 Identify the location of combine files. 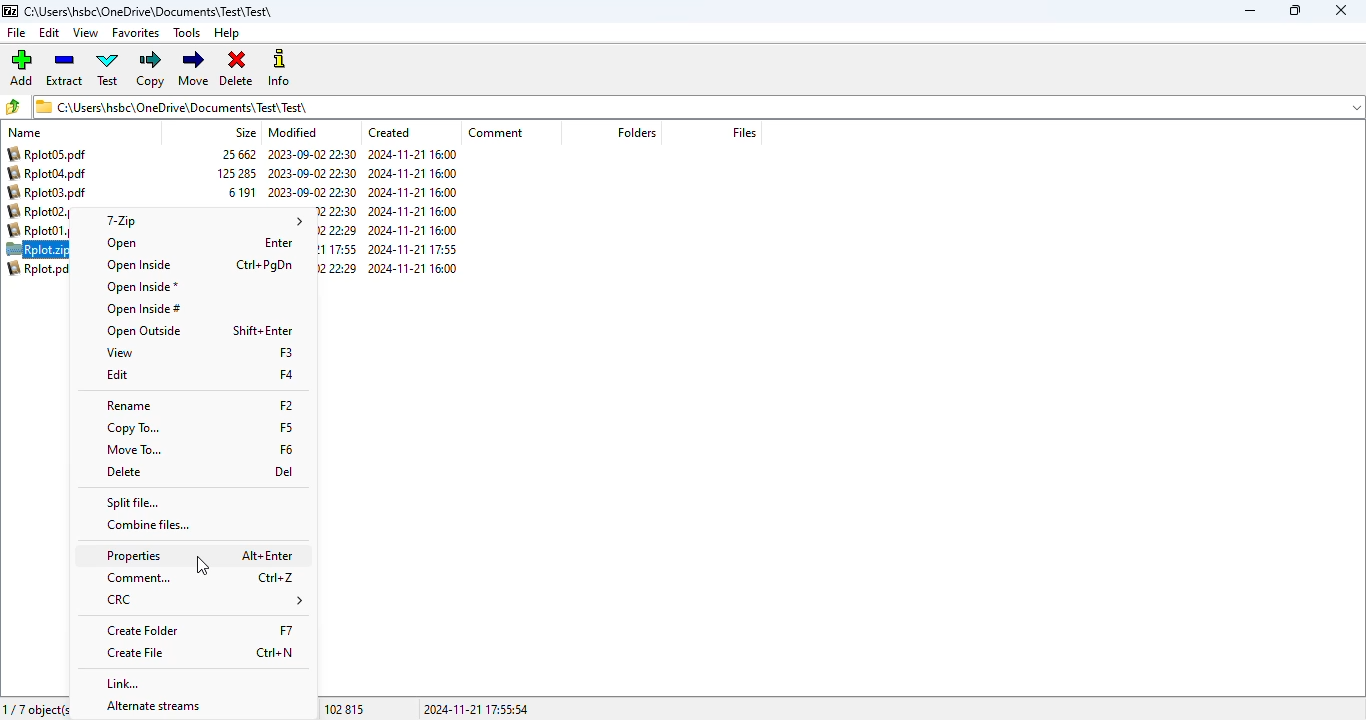
(149, 525).